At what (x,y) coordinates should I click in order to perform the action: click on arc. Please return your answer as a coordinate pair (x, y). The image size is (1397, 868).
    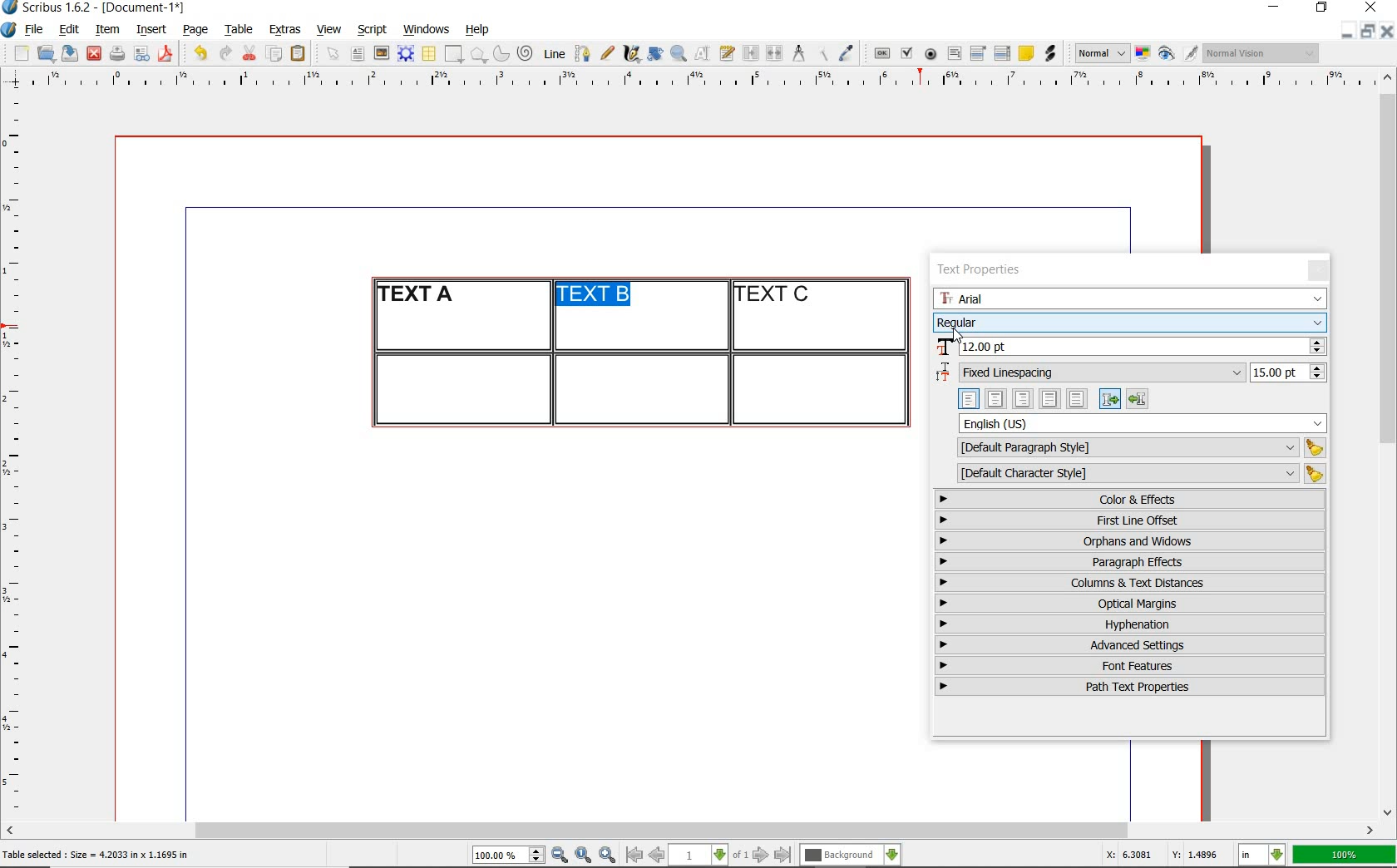
    Looking at the image, I should click on (501, 53).